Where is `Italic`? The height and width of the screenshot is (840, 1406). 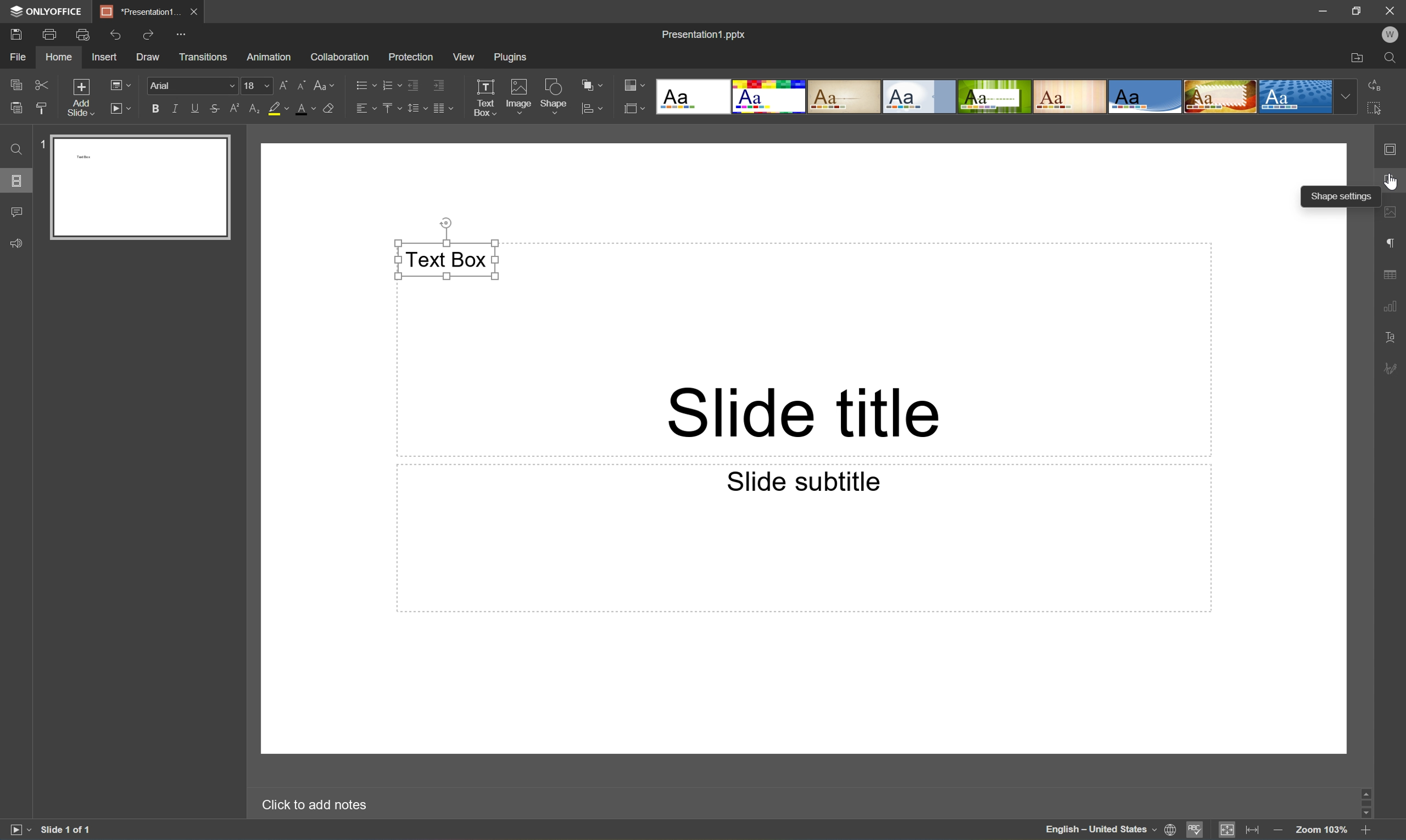
Italic is located at coordinates (174, 109).